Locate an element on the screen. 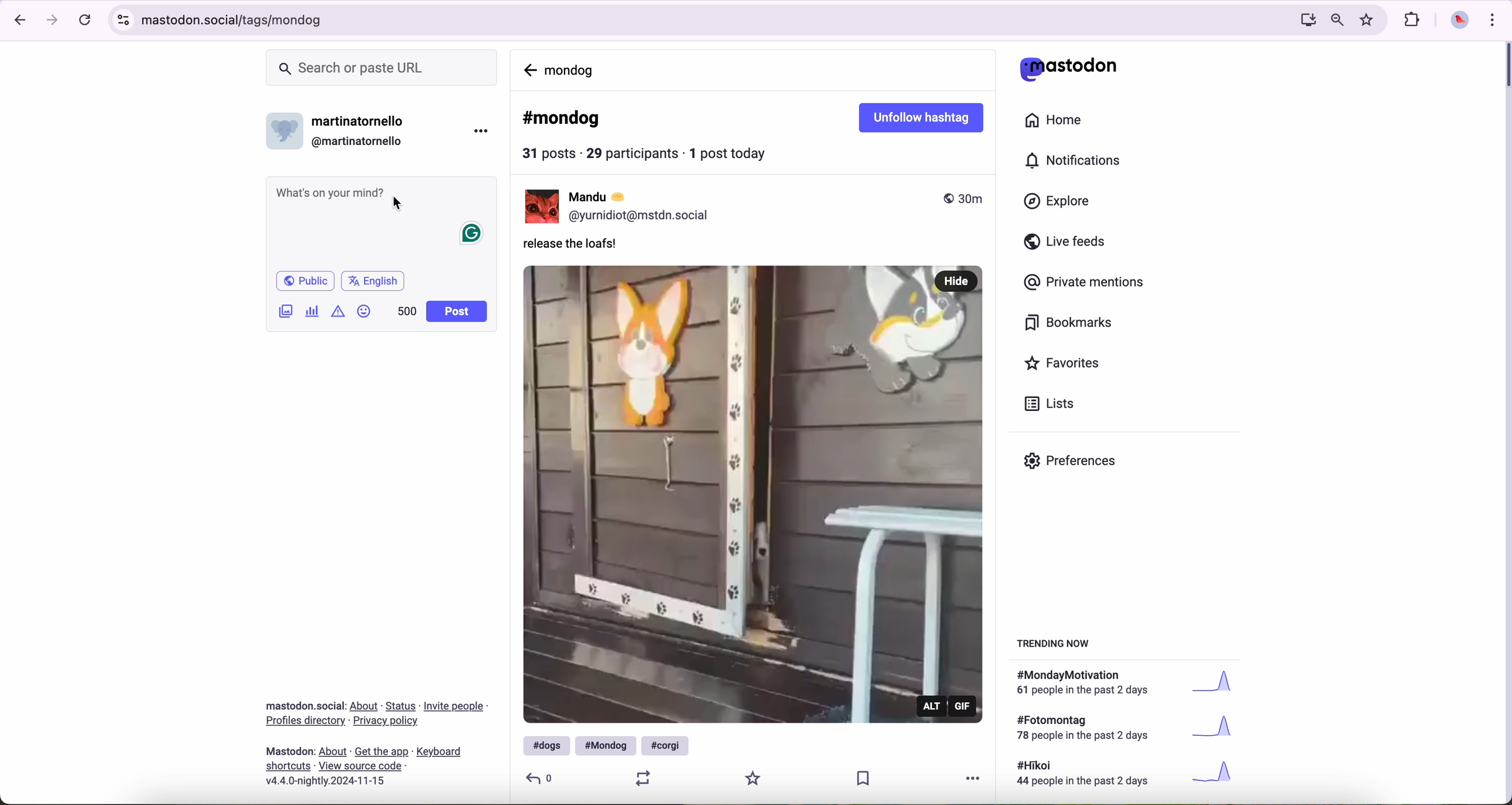 The height and width of the screenshot is (805, 1512). 31 posts is located at coordinates (551, 155).